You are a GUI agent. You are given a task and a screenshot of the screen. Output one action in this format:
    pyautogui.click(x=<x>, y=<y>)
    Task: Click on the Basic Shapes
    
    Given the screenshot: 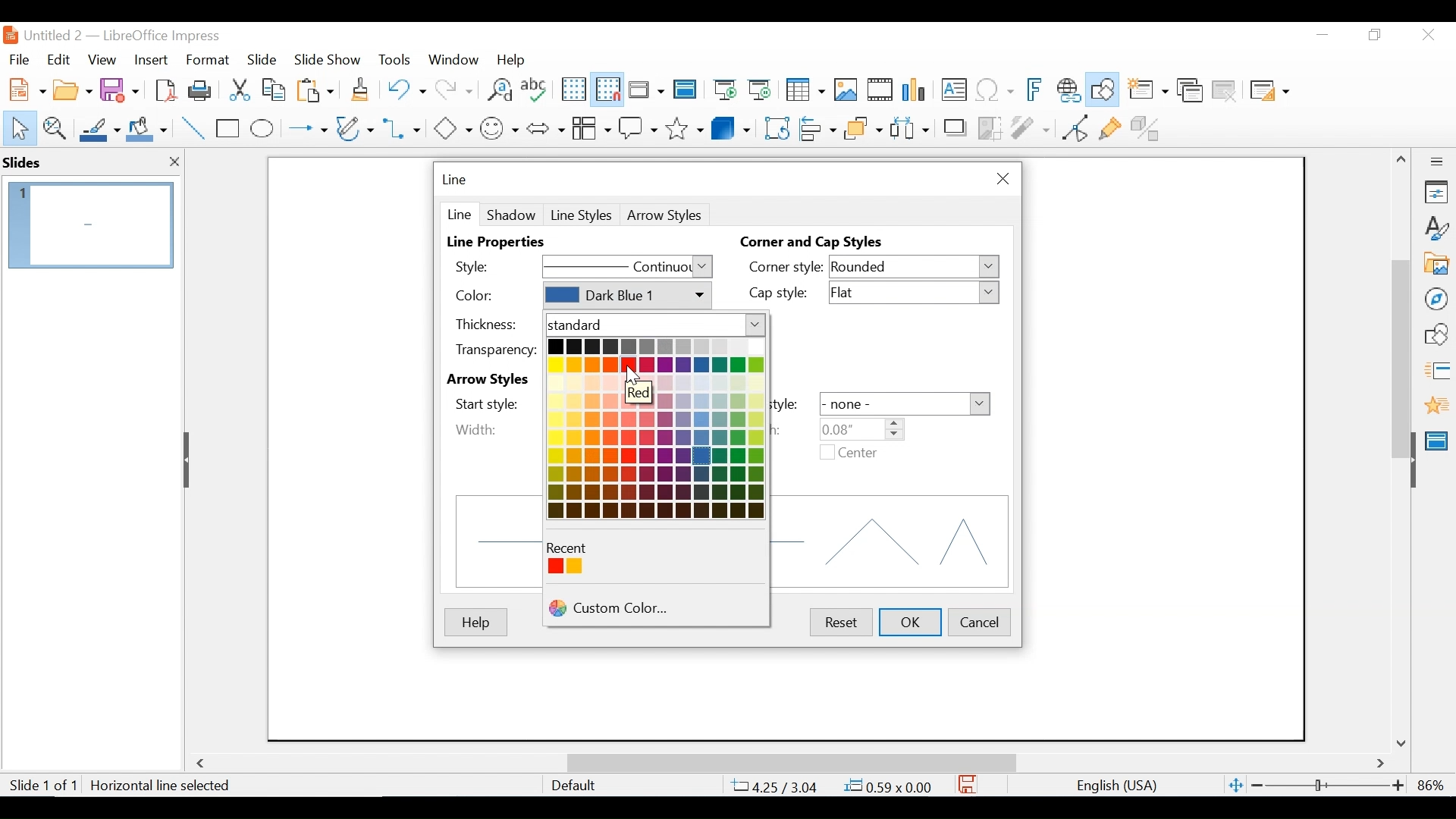 What is the action you would take?
    pyautogui.click(x=452, y=127)
    